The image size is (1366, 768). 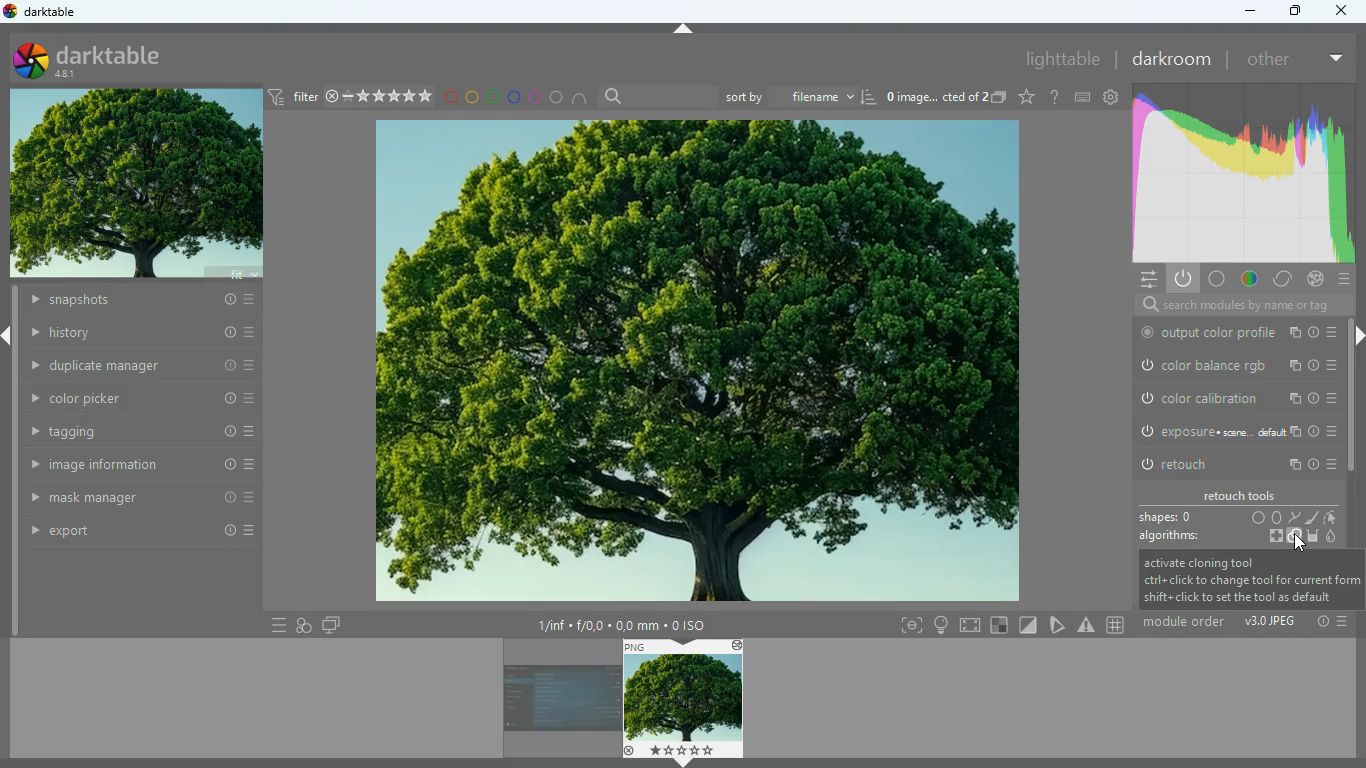 What do you see at coordinates (144, 465) in the screenshot?
I see `image information` at bounding box center [144, 465].